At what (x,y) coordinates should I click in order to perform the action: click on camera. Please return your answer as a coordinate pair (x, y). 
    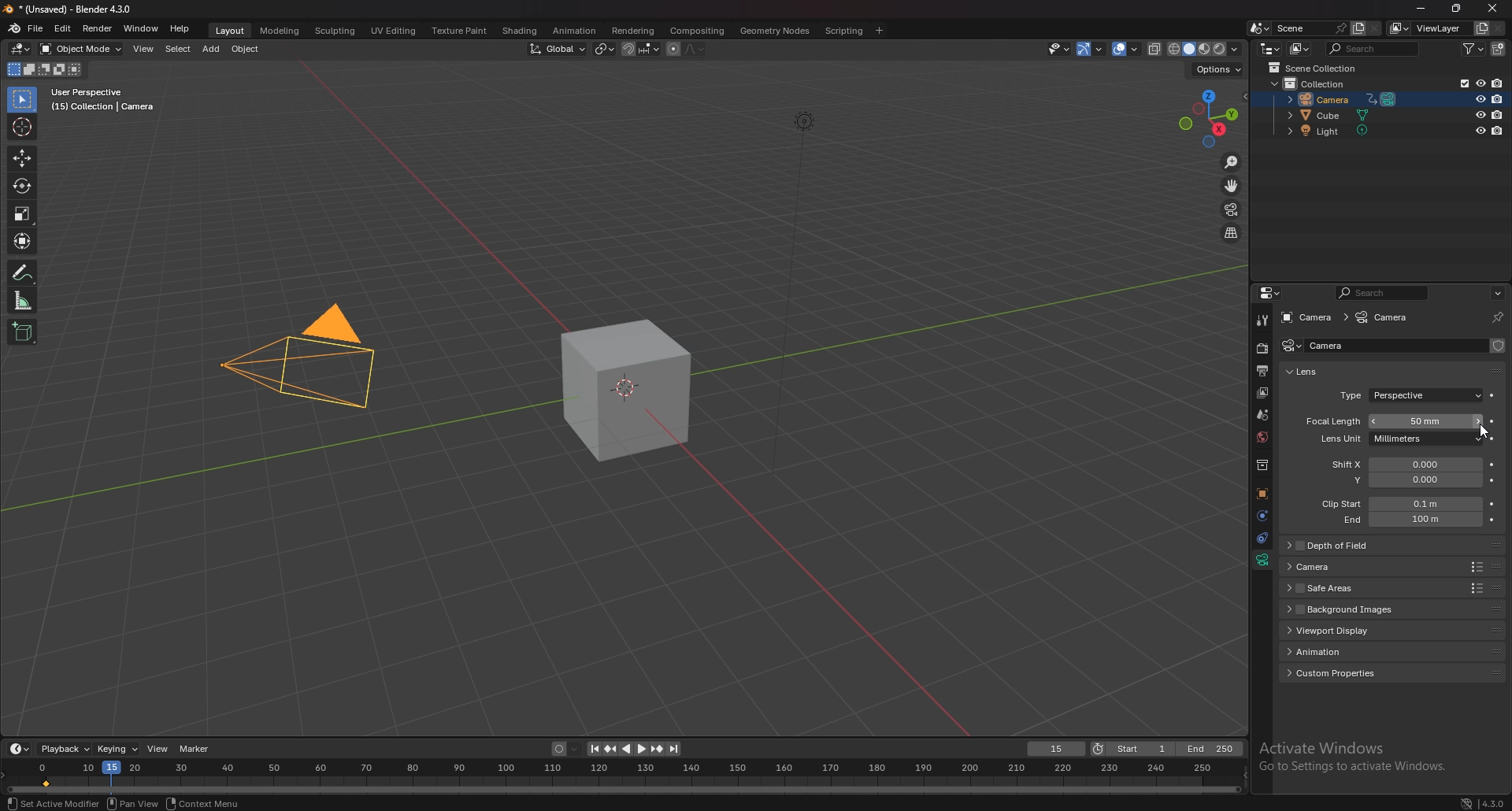
    Looking at the image, I should click on (1291, 346).